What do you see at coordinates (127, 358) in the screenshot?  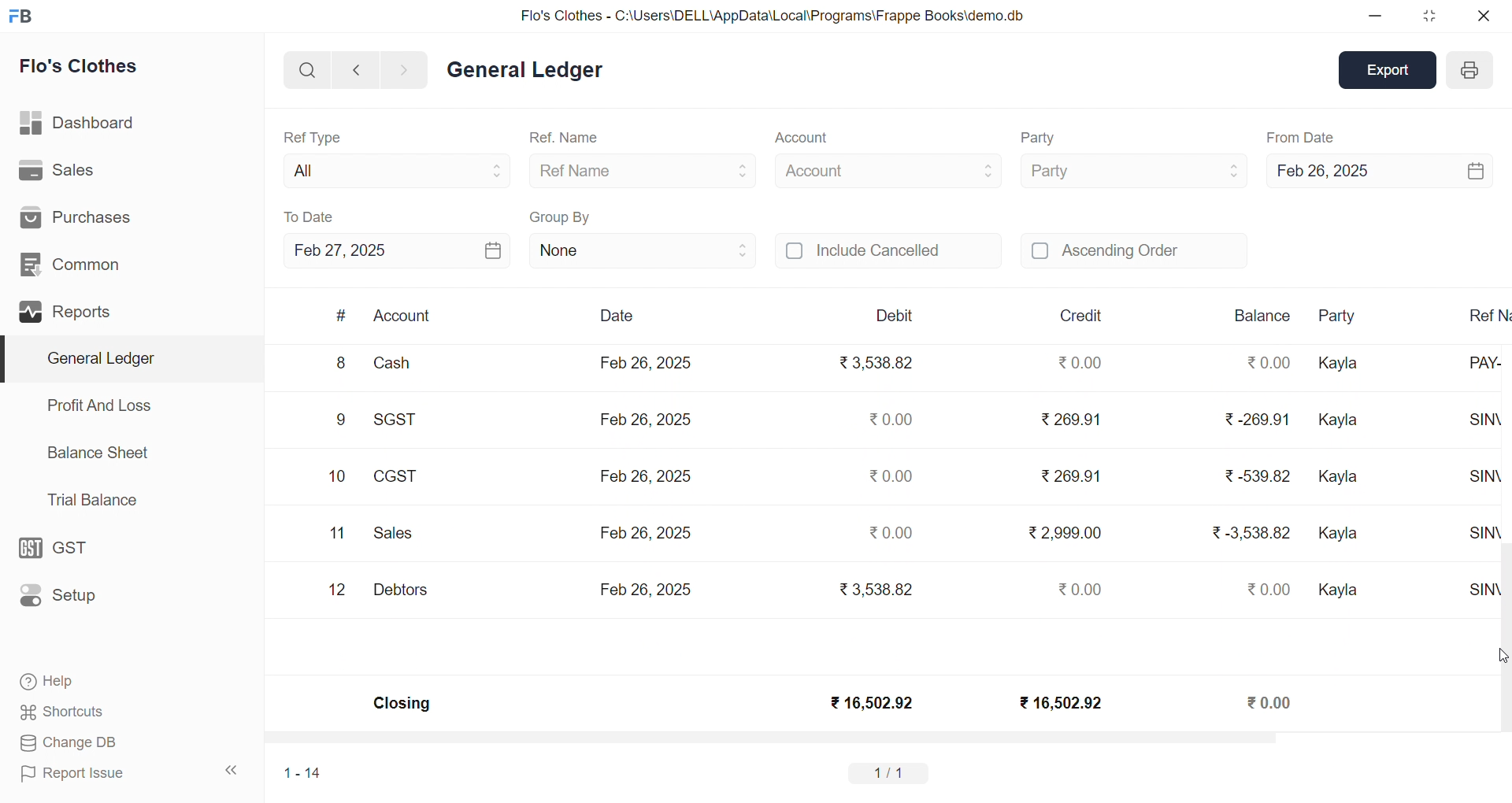 I see `General Ledger` at bounding box center [127, 358].